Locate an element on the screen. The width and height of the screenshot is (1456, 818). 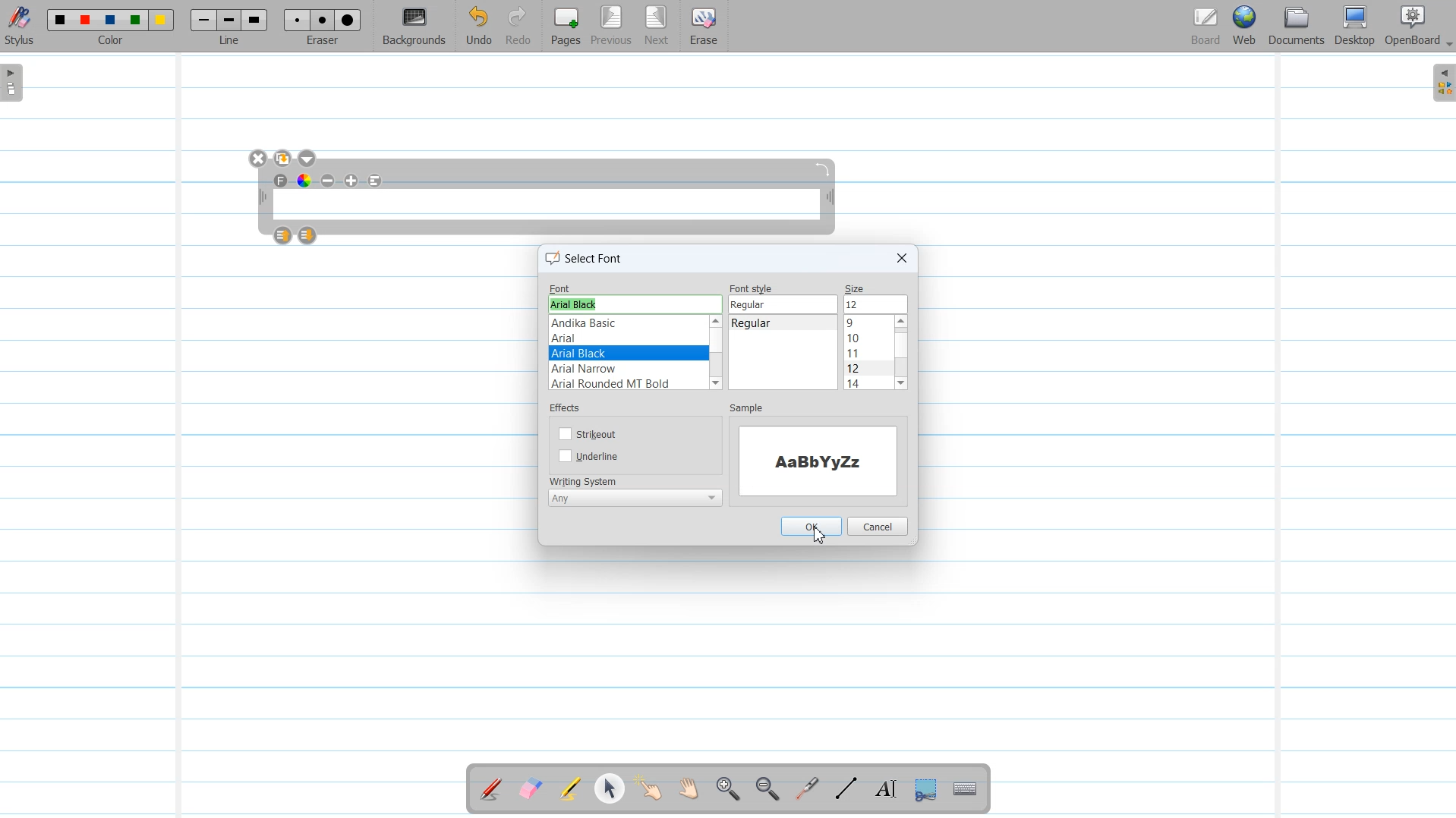
Font Type is located at coordinates (625, 352).